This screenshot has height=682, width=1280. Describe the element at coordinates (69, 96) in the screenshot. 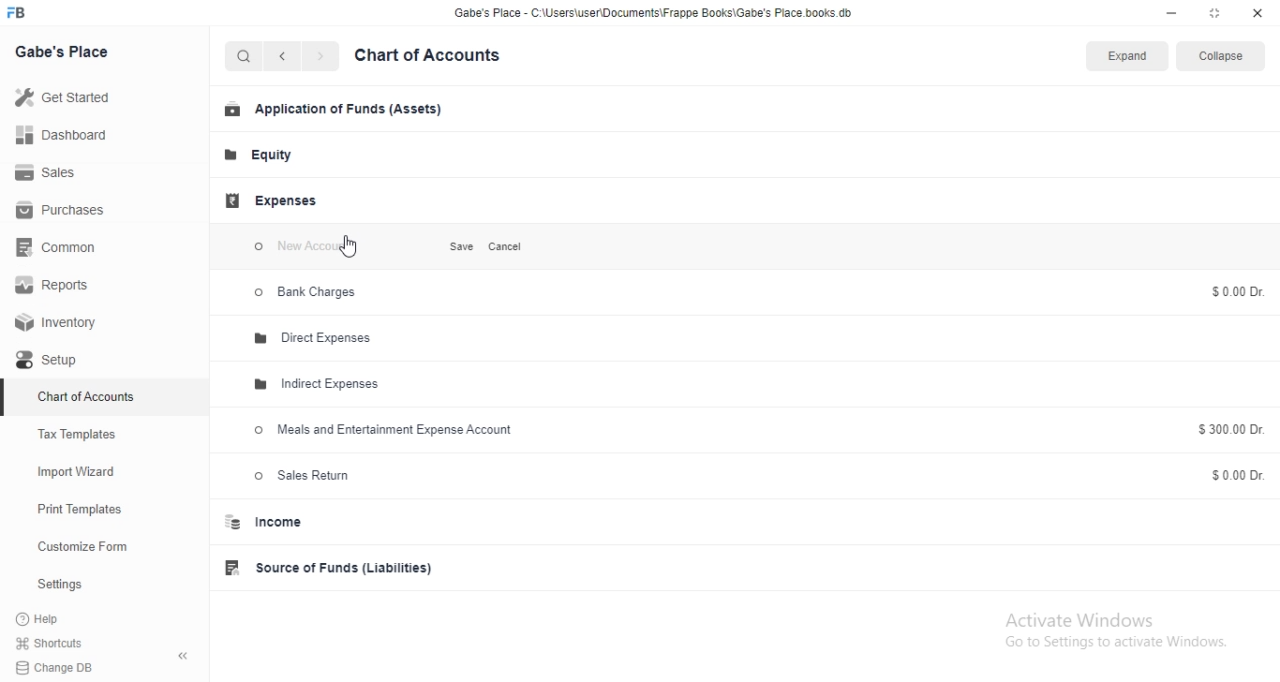

I see `Get Started` at that location.